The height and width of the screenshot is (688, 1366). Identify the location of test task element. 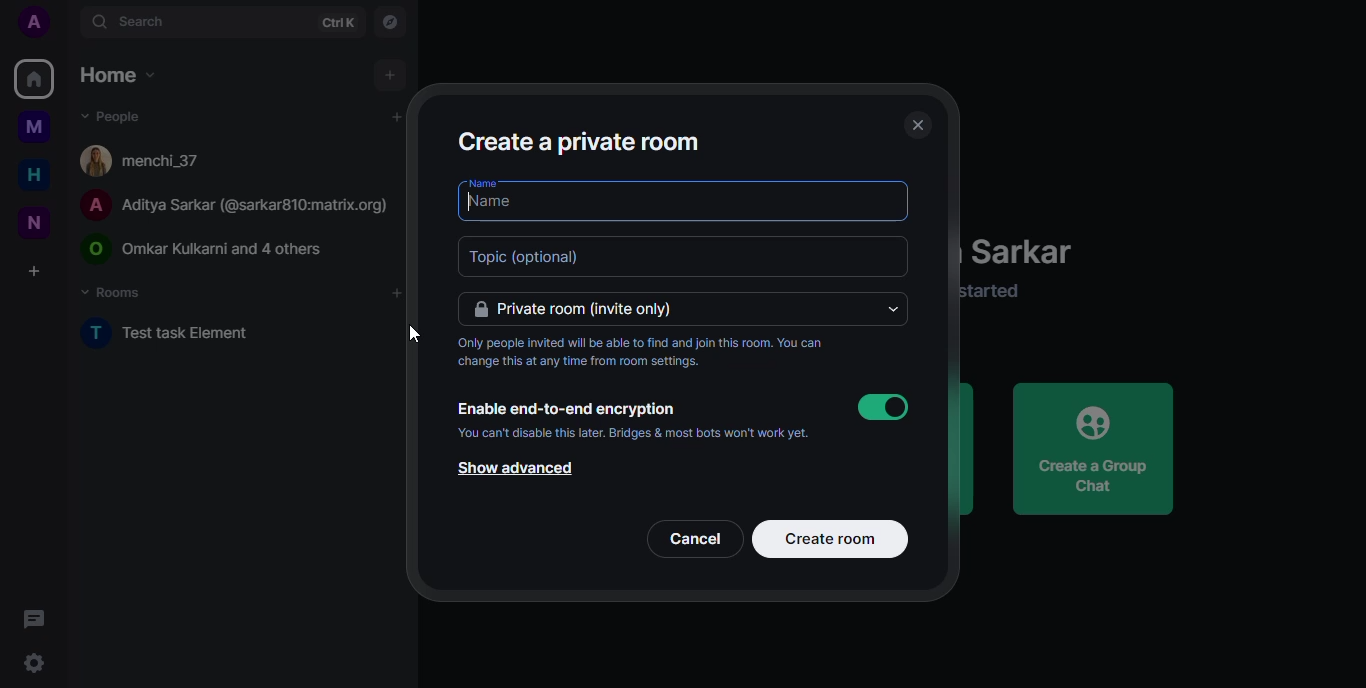
(183, 336).